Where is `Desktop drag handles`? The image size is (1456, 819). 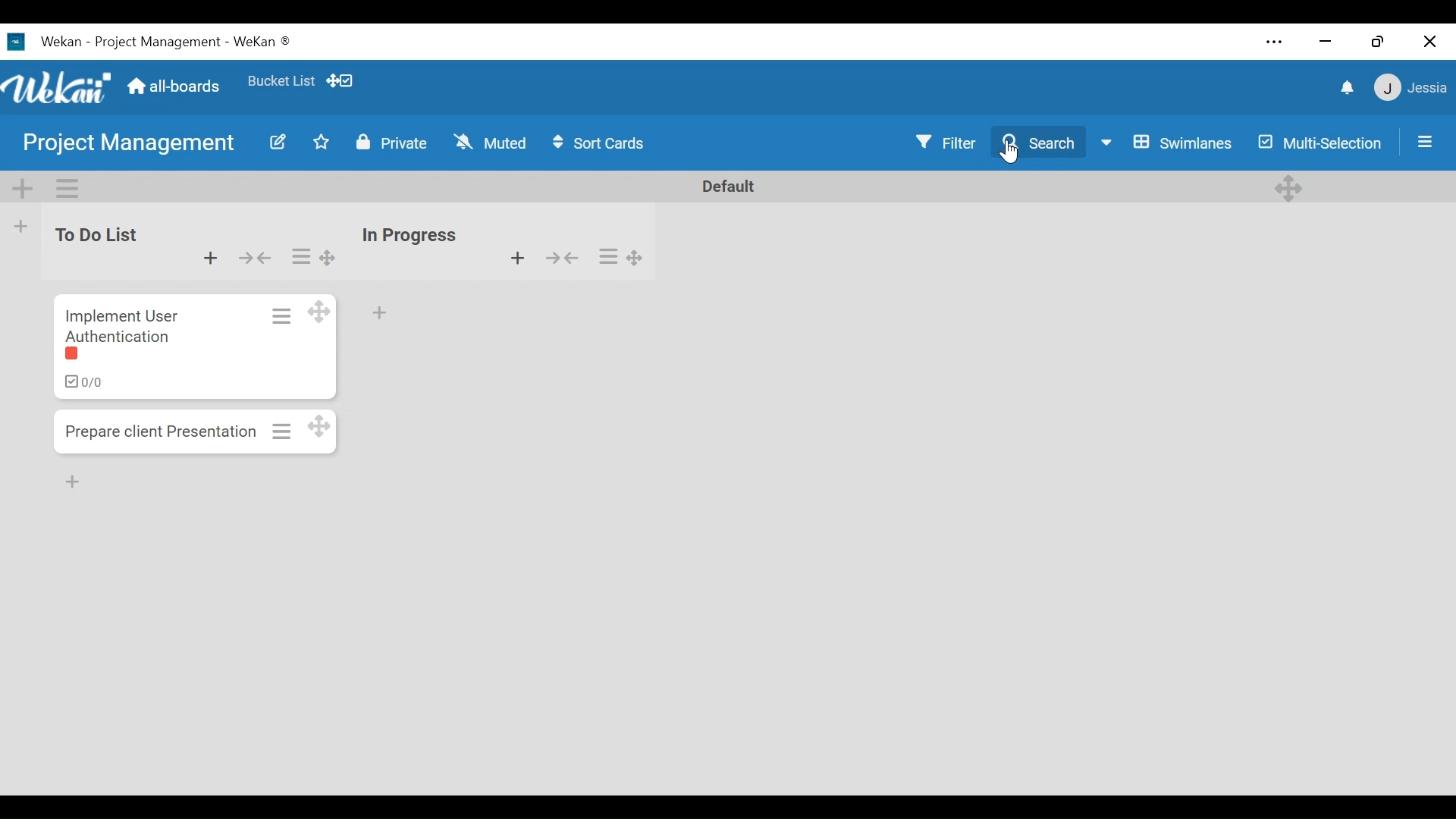 Desktop drag handles is located at coordinates (1288, 188).